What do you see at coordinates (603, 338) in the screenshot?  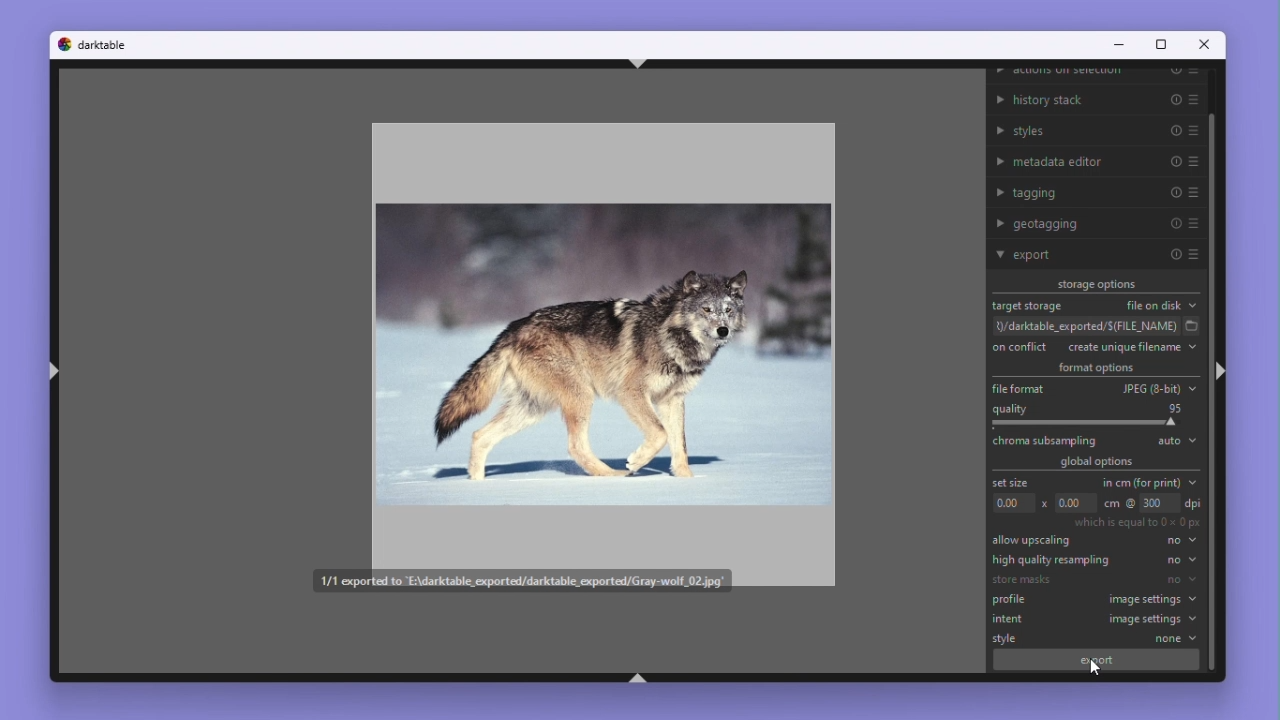 I see `Image` at bounding box center [603, 338].